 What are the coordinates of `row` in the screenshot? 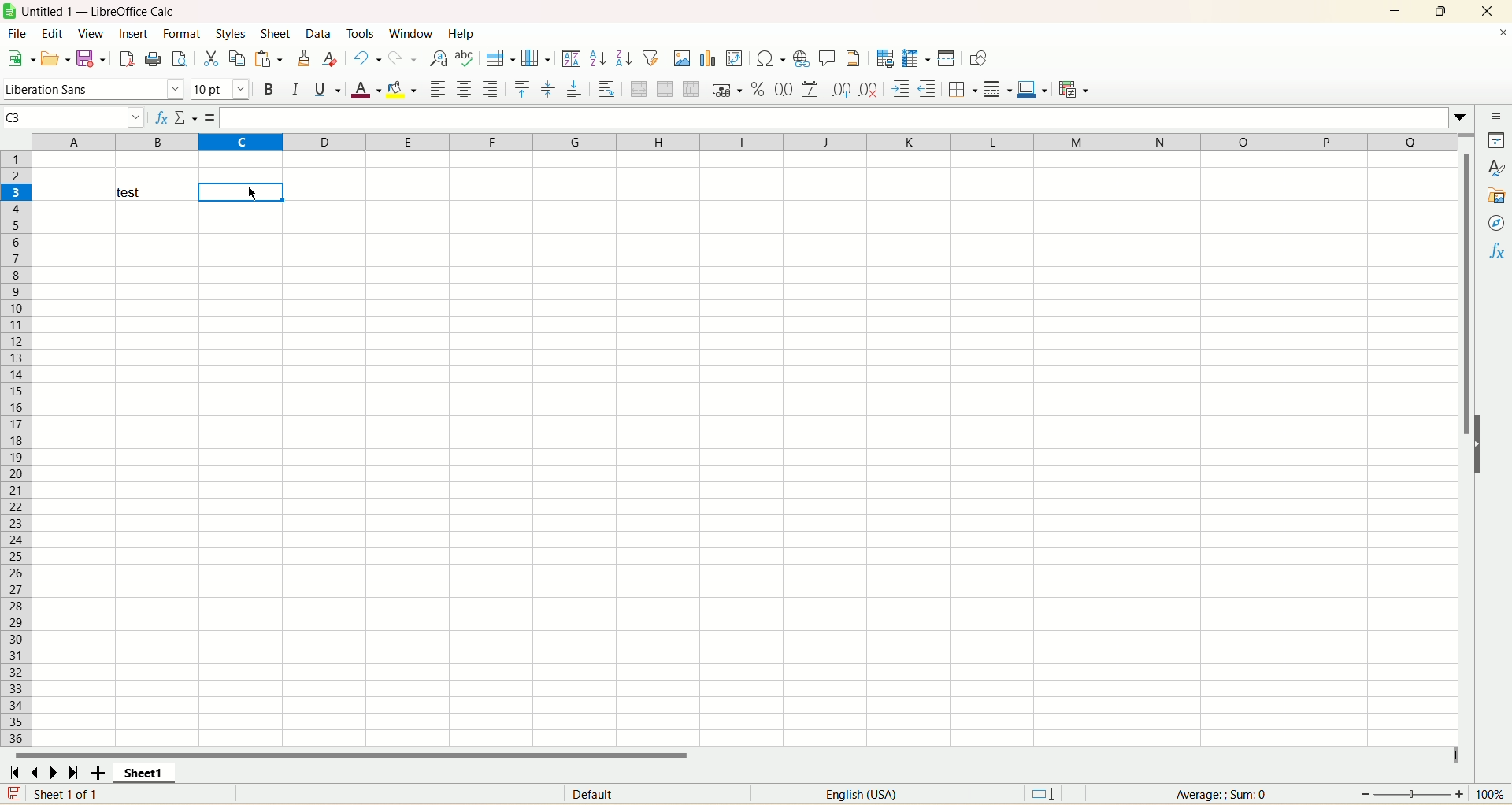 It's located at (499, 58).